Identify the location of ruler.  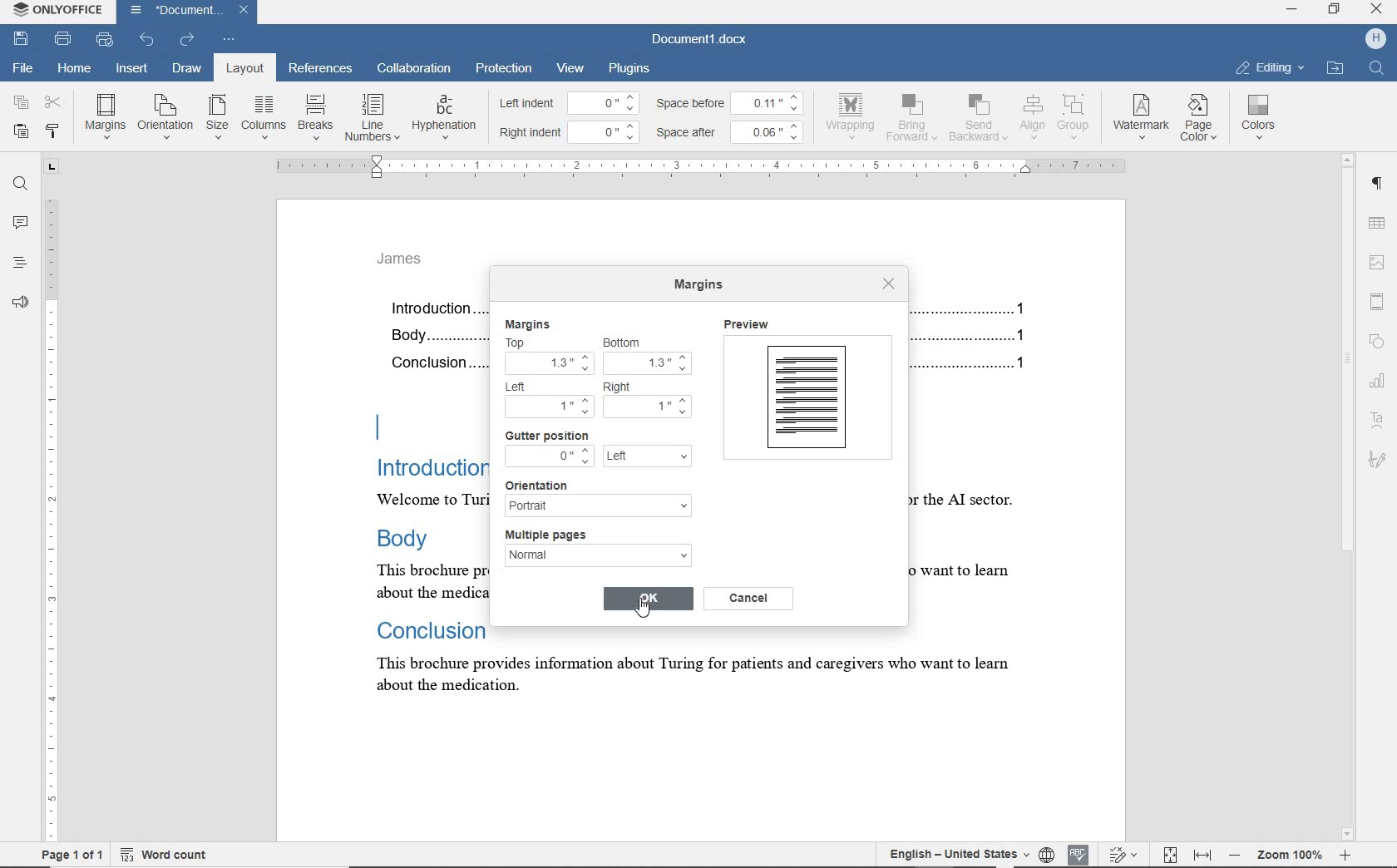
(51, 499).